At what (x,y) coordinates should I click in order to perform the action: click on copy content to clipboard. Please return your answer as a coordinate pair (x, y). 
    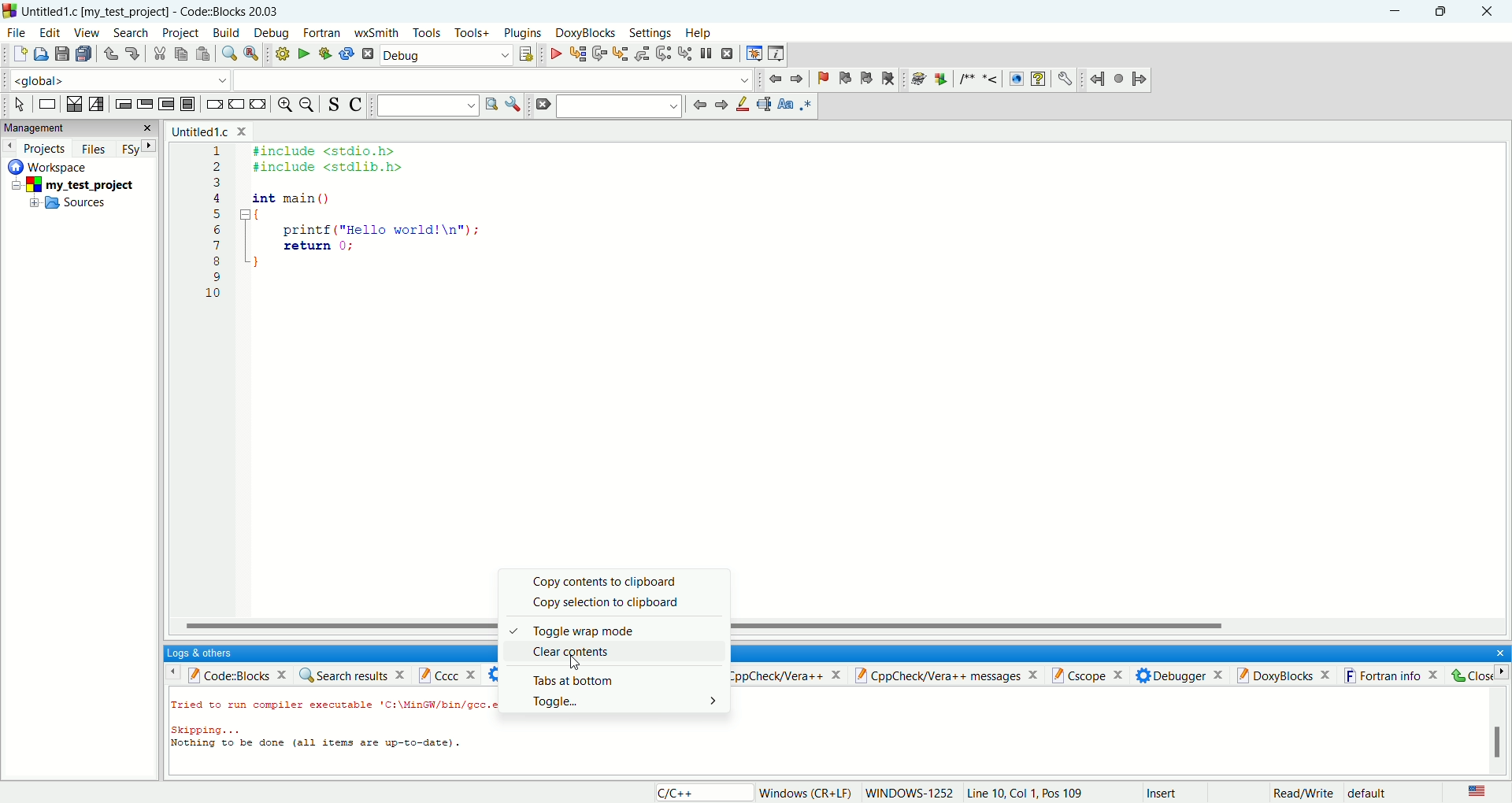
    Looking at the image, I should click on (616, 581).